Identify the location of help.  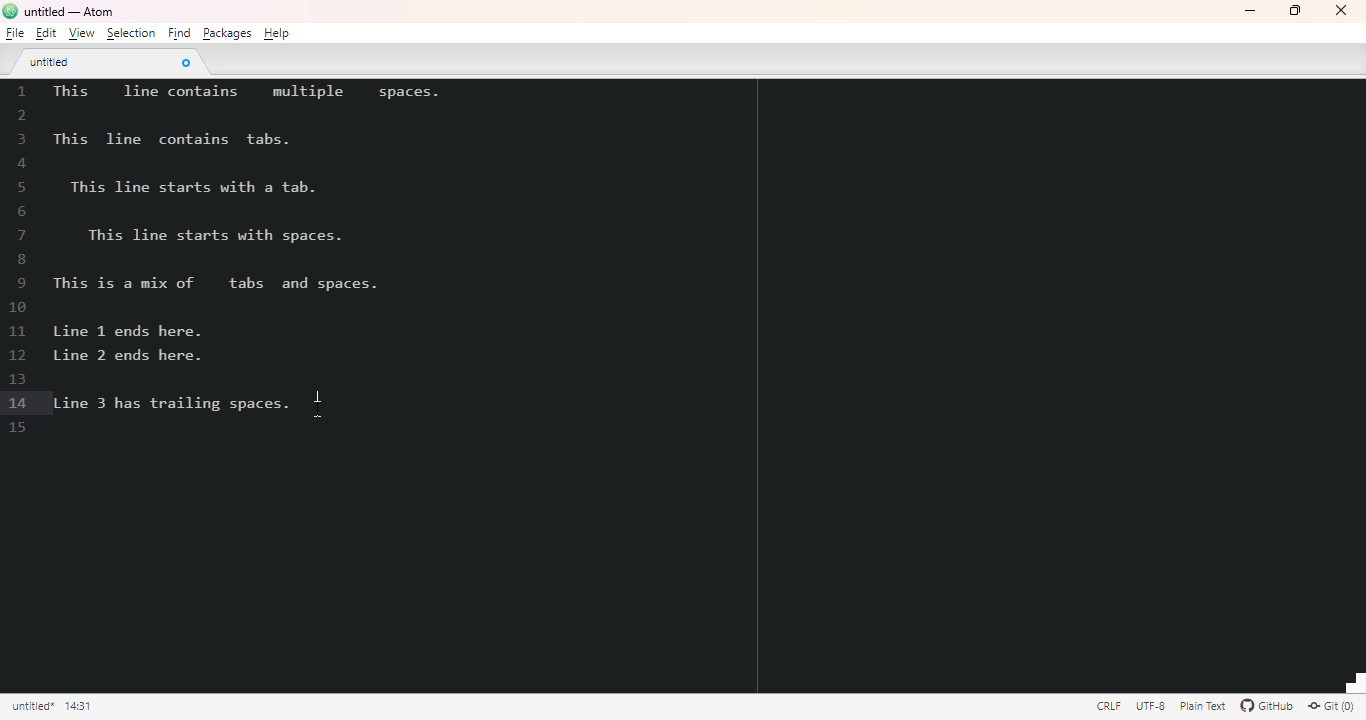
(277, 33).